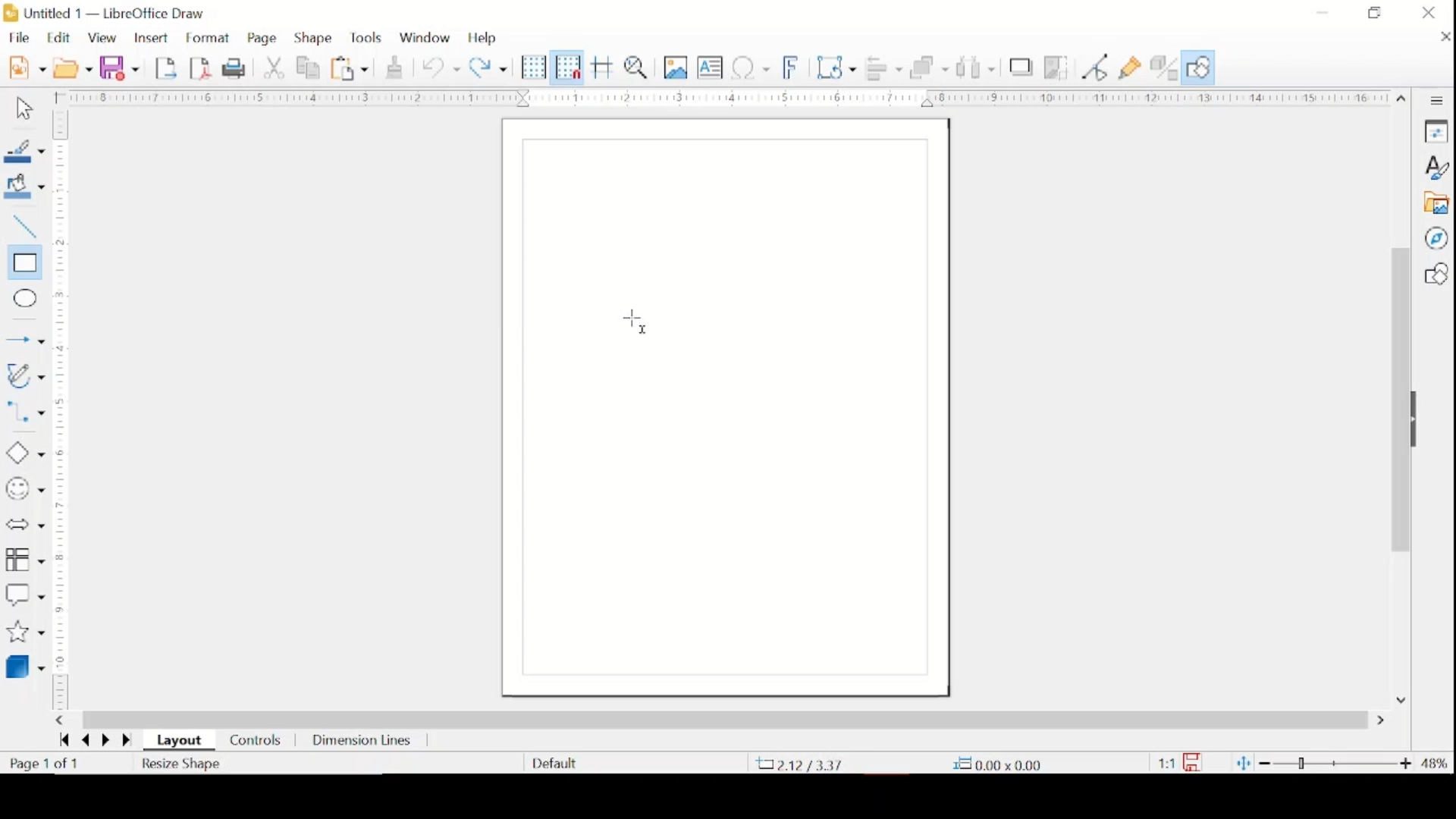 This screenshot has width=1456, height=819. I want to click on gallery, so click(1436, 203).